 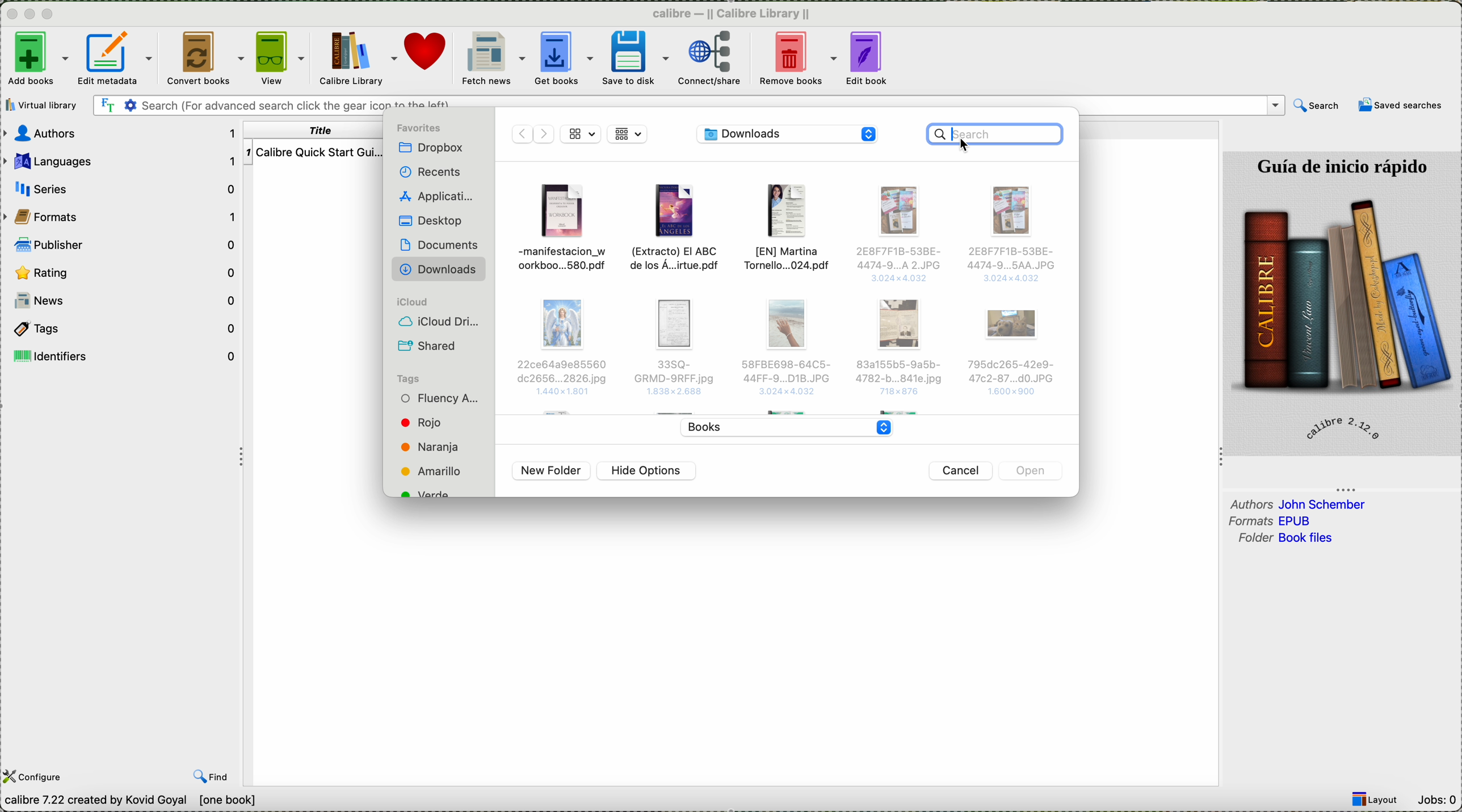 What do you see at coordinates (797, 59) in the screenshot?
I see `remove books` at bounding box center [797, 59].